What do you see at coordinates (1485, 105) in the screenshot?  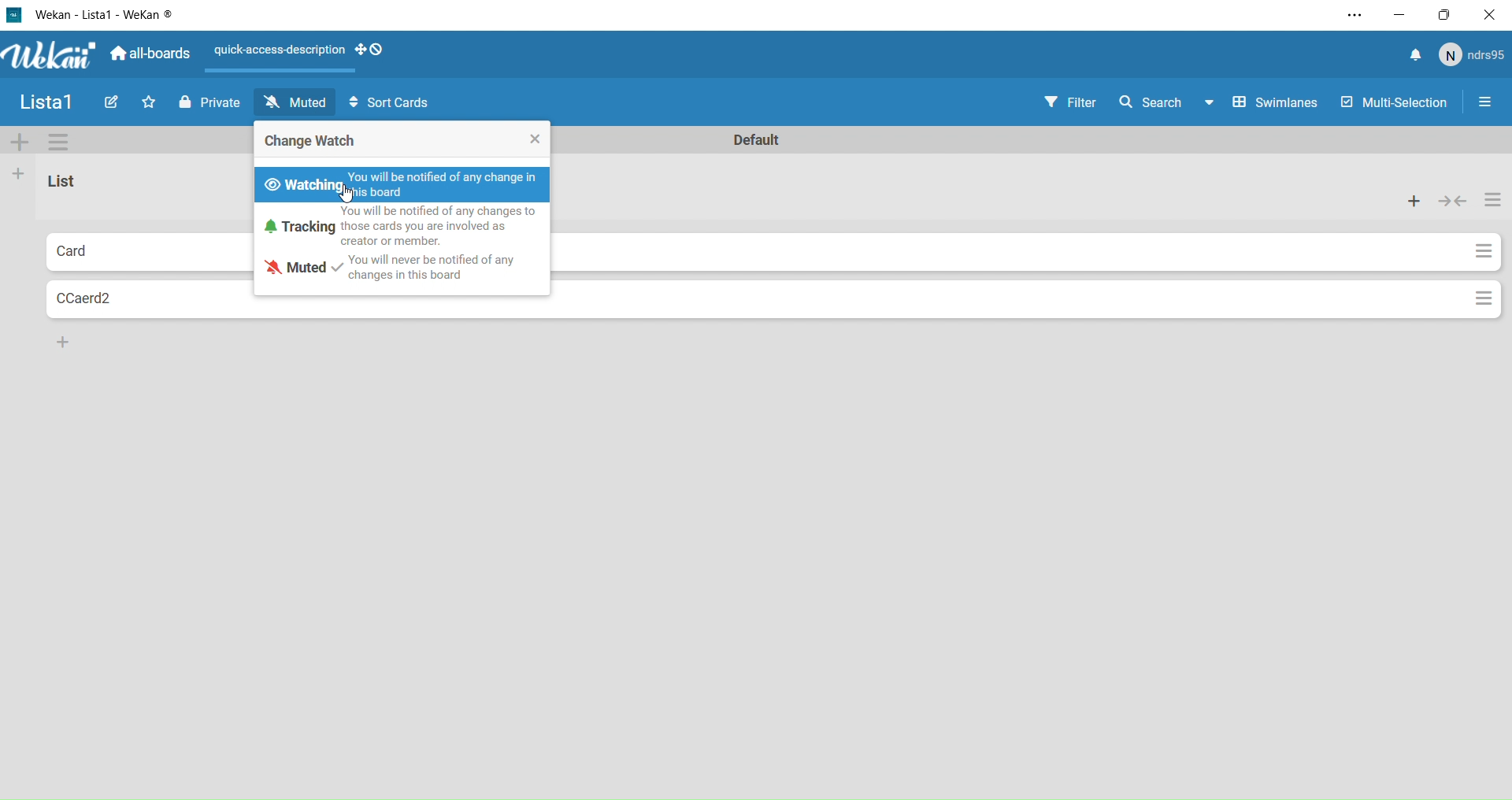 I see `Settings` at bounding box center [1485, 105].